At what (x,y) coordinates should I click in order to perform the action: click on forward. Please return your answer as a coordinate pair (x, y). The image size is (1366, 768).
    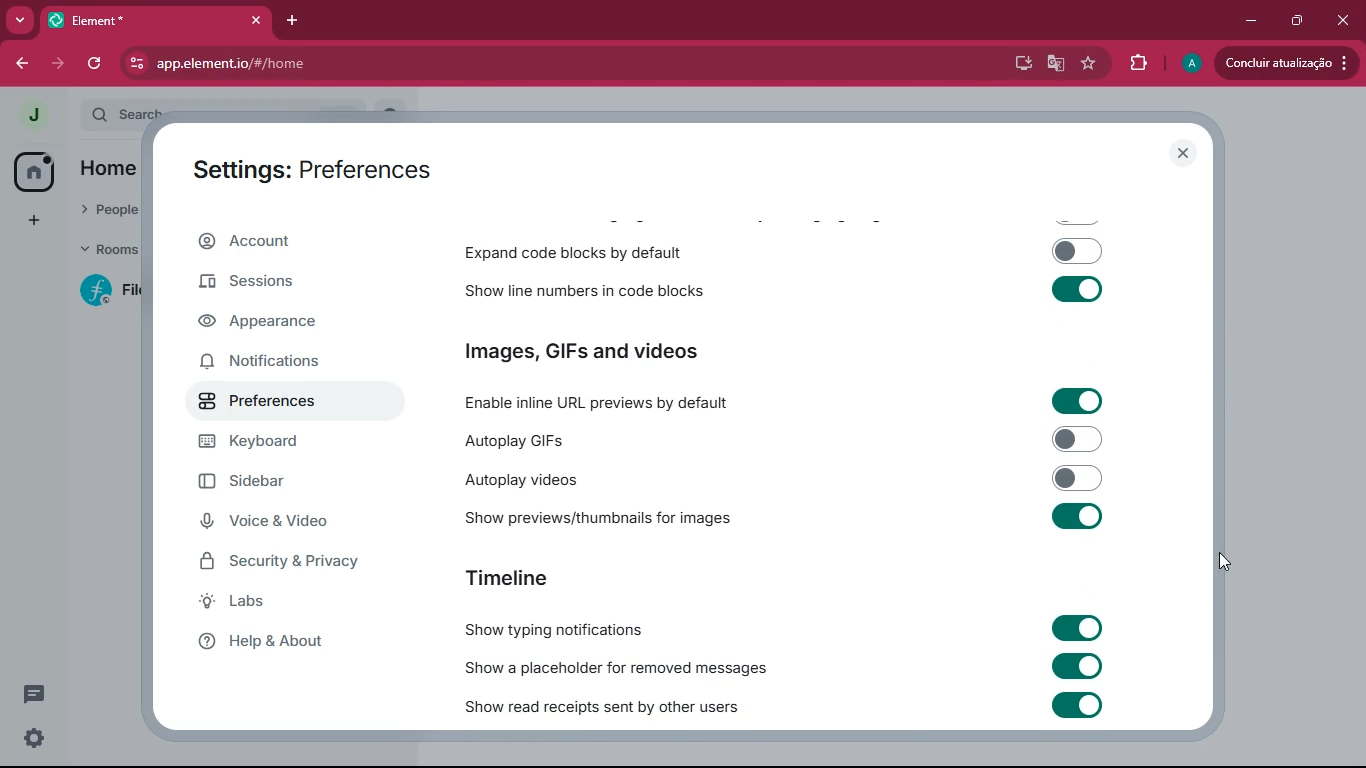
    Looking at the image, I should click on (56, 63).